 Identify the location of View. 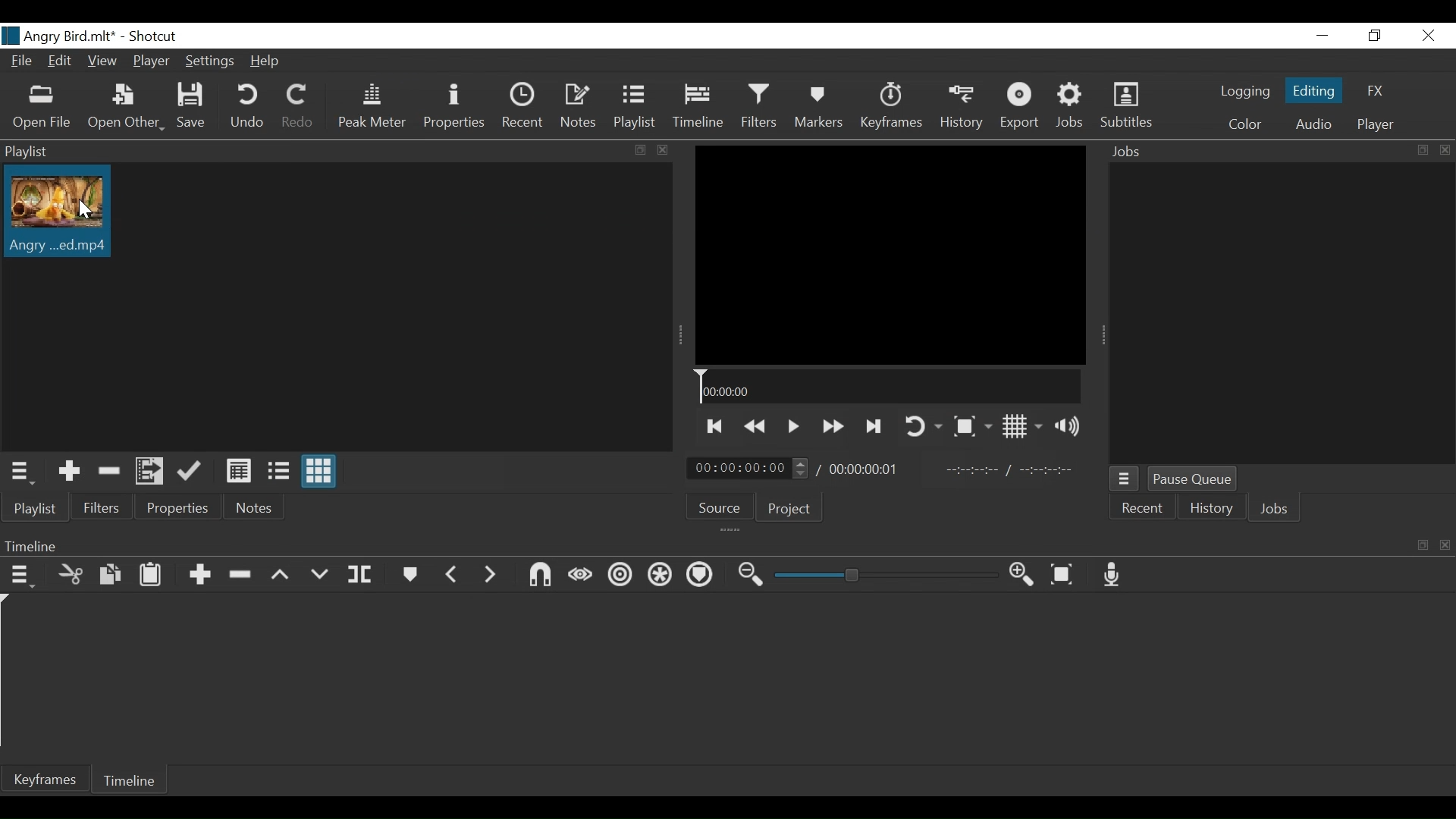
(104, 61).